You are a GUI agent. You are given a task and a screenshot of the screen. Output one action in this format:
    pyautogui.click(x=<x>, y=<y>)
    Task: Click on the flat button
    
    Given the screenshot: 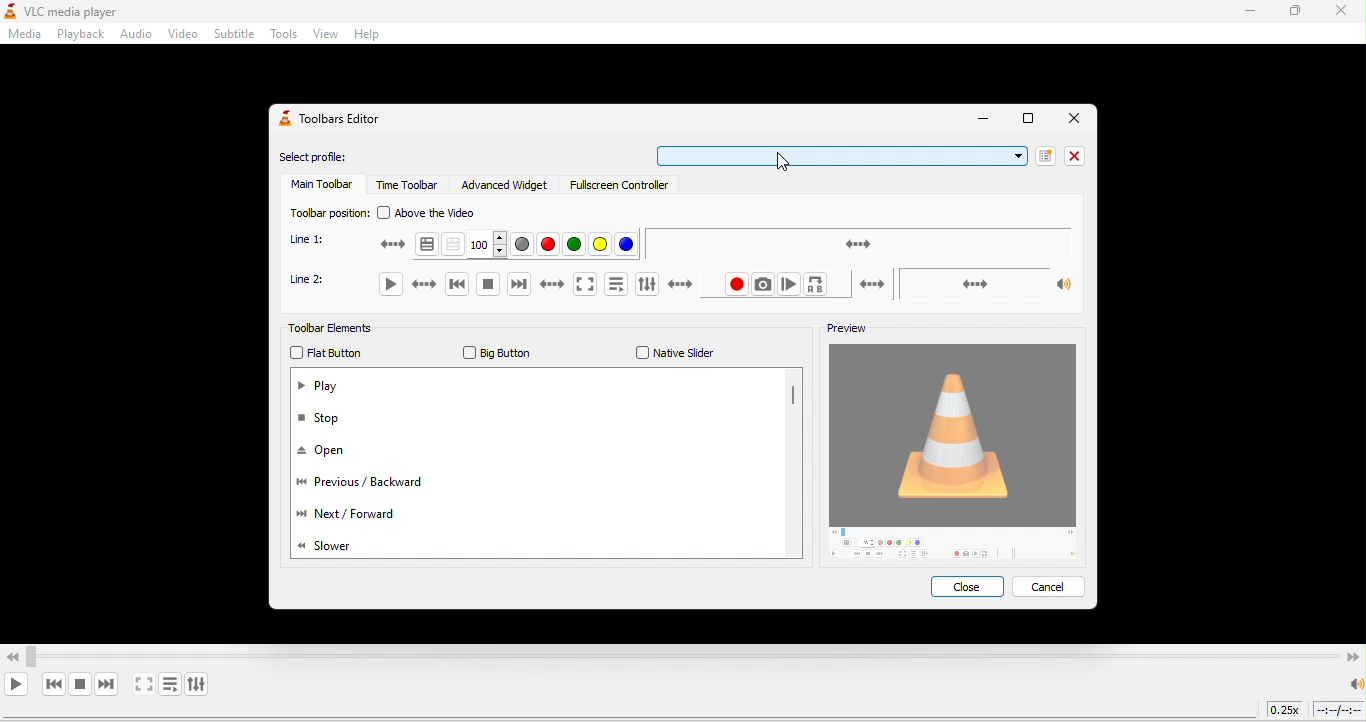 What is the action you would take?
    pyautogui.click(x=328, y=354)
    